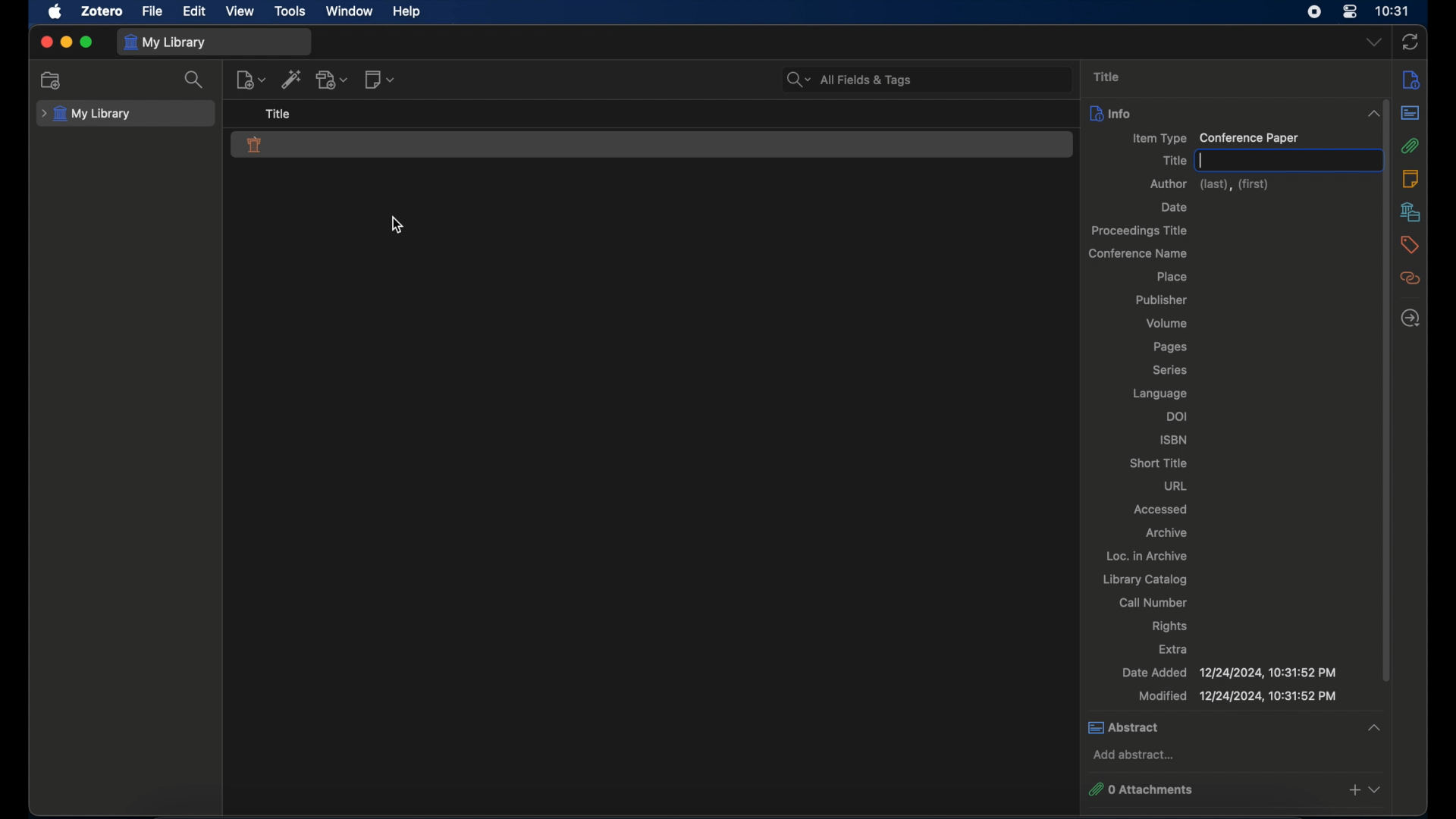 The height and width of the screenshot is (819, 1456). I want to click on add item by identifier, so click(293, 79).